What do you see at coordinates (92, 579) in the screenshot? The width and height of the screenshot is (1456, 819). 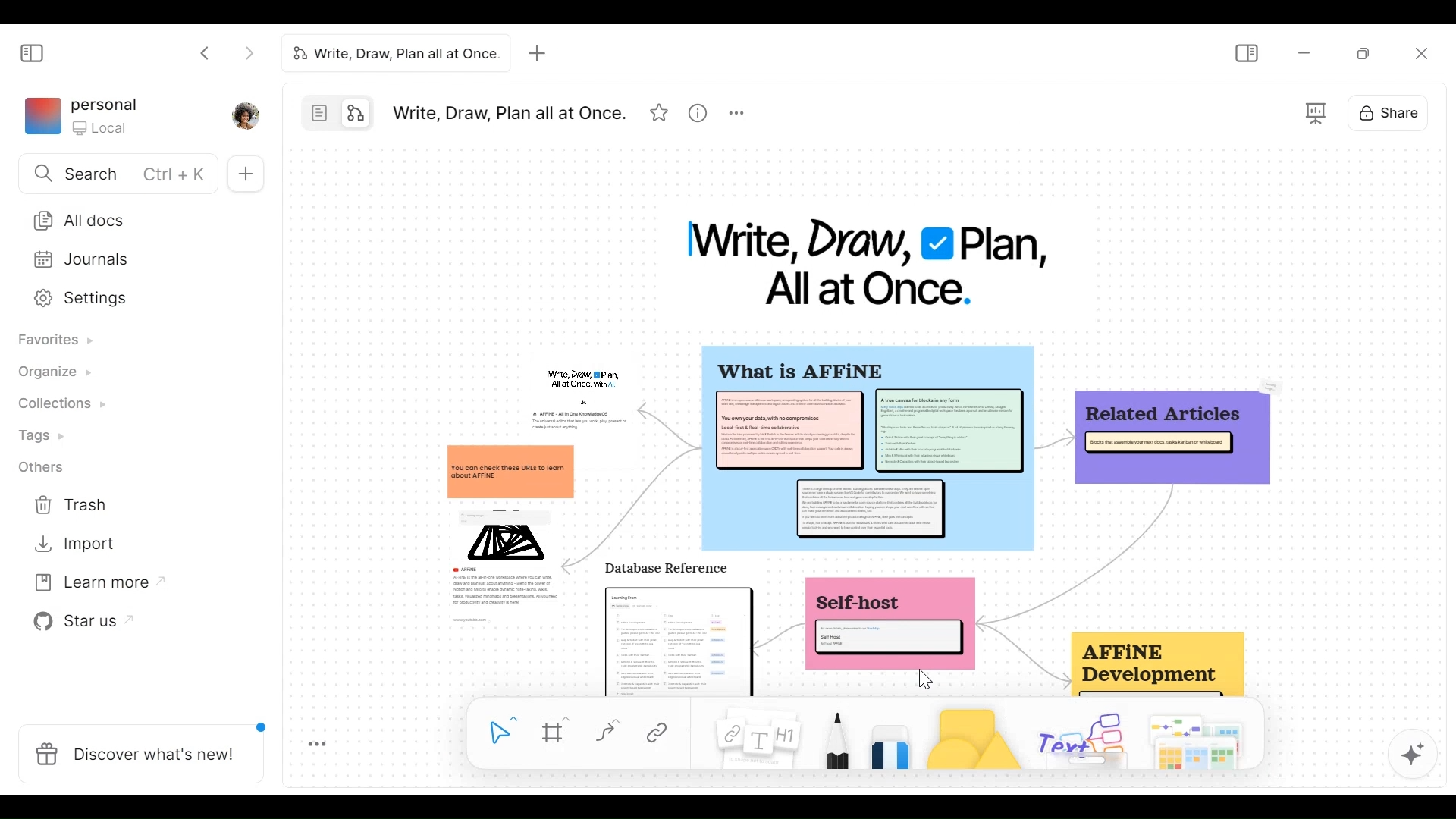 I see `Learn more` at bounding box center [92, 579].